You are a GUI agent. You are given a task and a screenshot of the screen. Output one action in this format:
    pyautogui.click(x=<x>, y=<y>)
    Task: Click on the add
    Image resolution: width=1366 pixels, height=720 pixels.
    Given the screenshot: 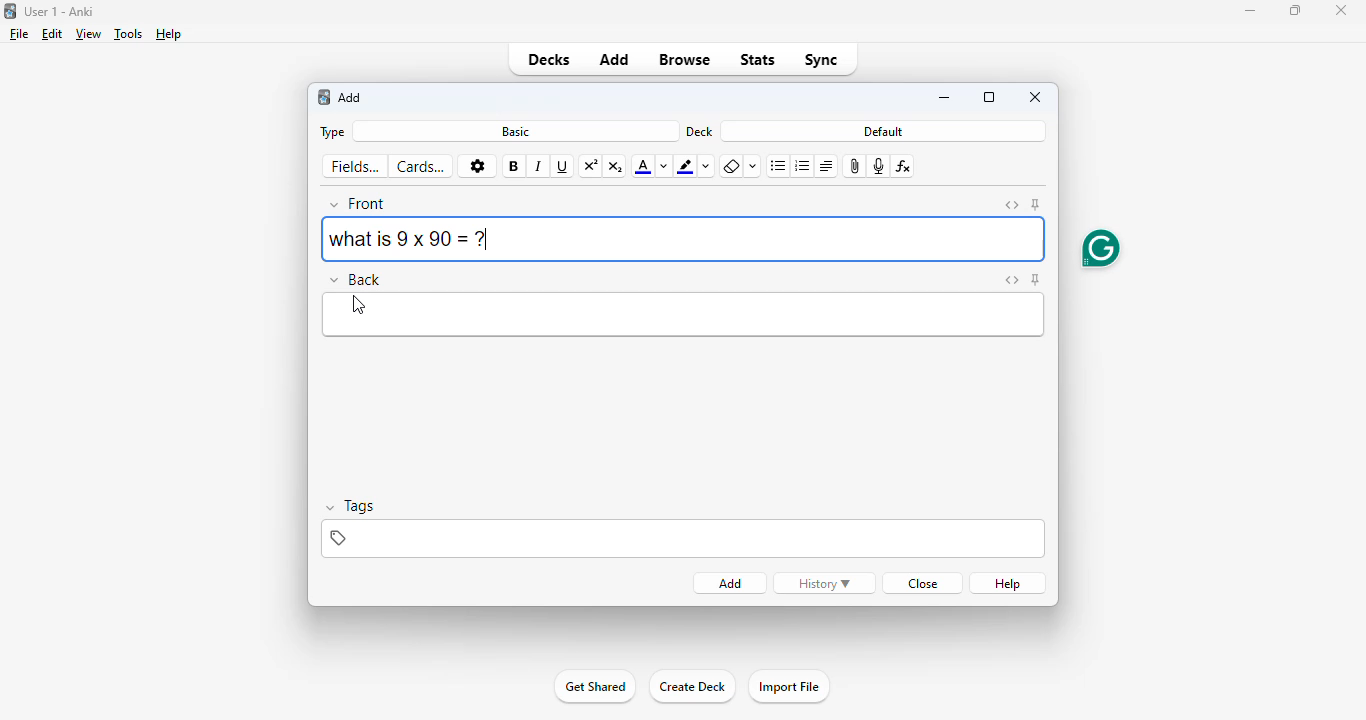 What is the action you would take?
    pyautogui.click(x=616, y=58)
    